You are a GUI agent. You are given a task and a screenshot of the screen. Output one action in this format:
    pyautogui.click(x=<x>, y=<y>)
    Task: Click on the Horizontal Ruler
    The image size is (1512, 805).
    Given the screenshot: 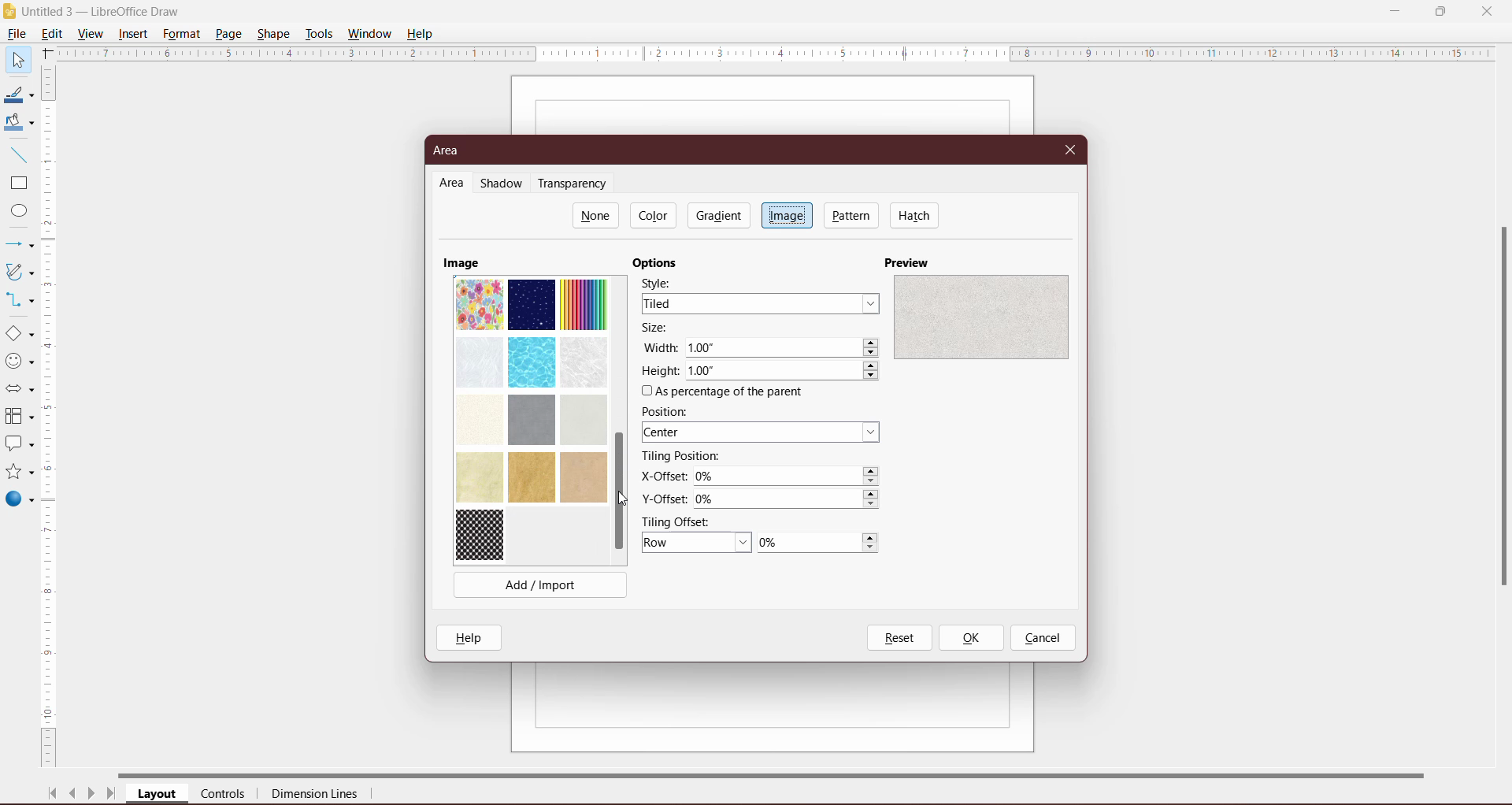 What is the action you would take?
    pyautogui.click(x=776, y=53)
    